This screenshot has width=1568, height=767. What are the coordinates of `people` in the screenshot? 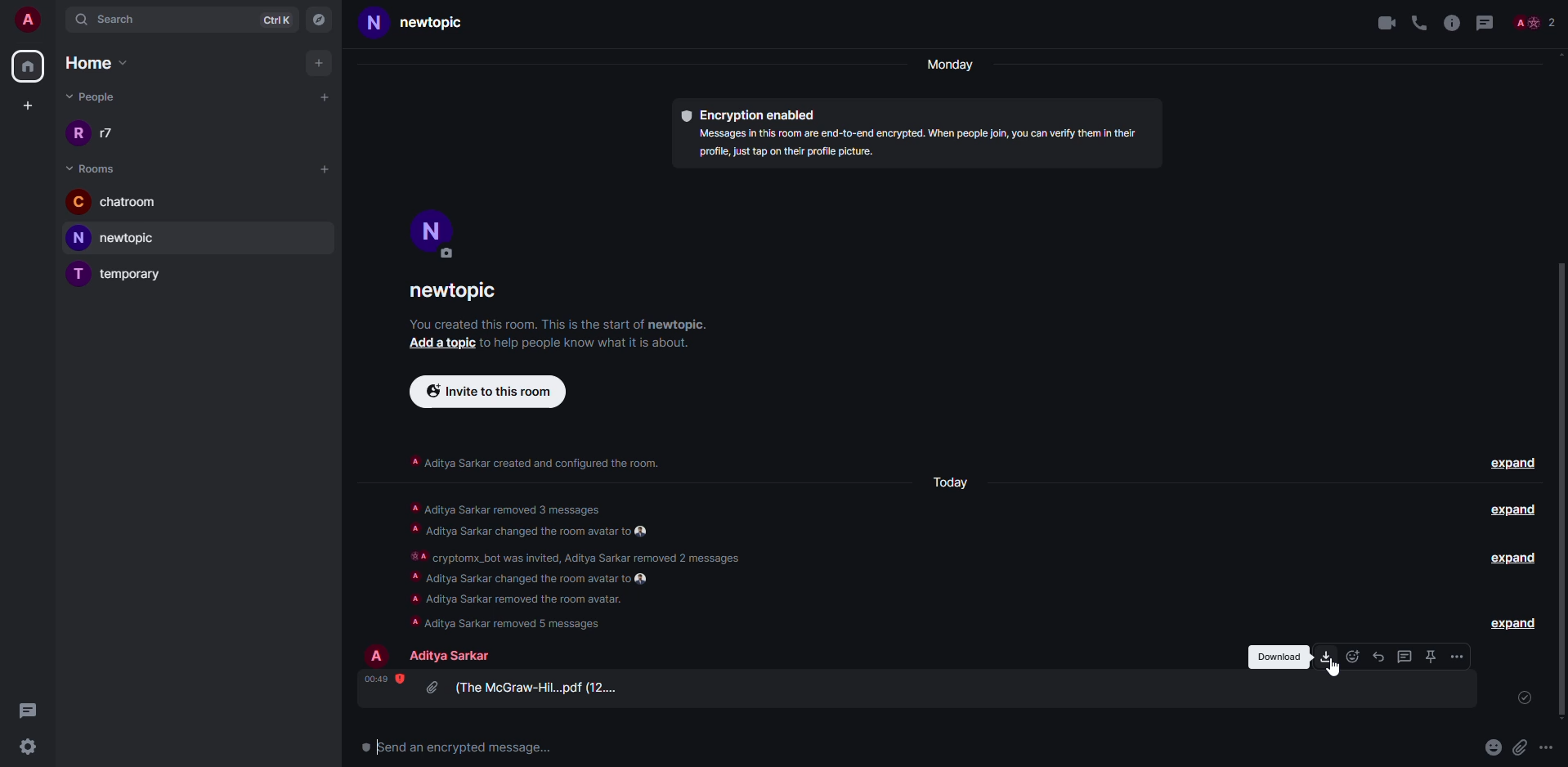 It's located at (450, 656).